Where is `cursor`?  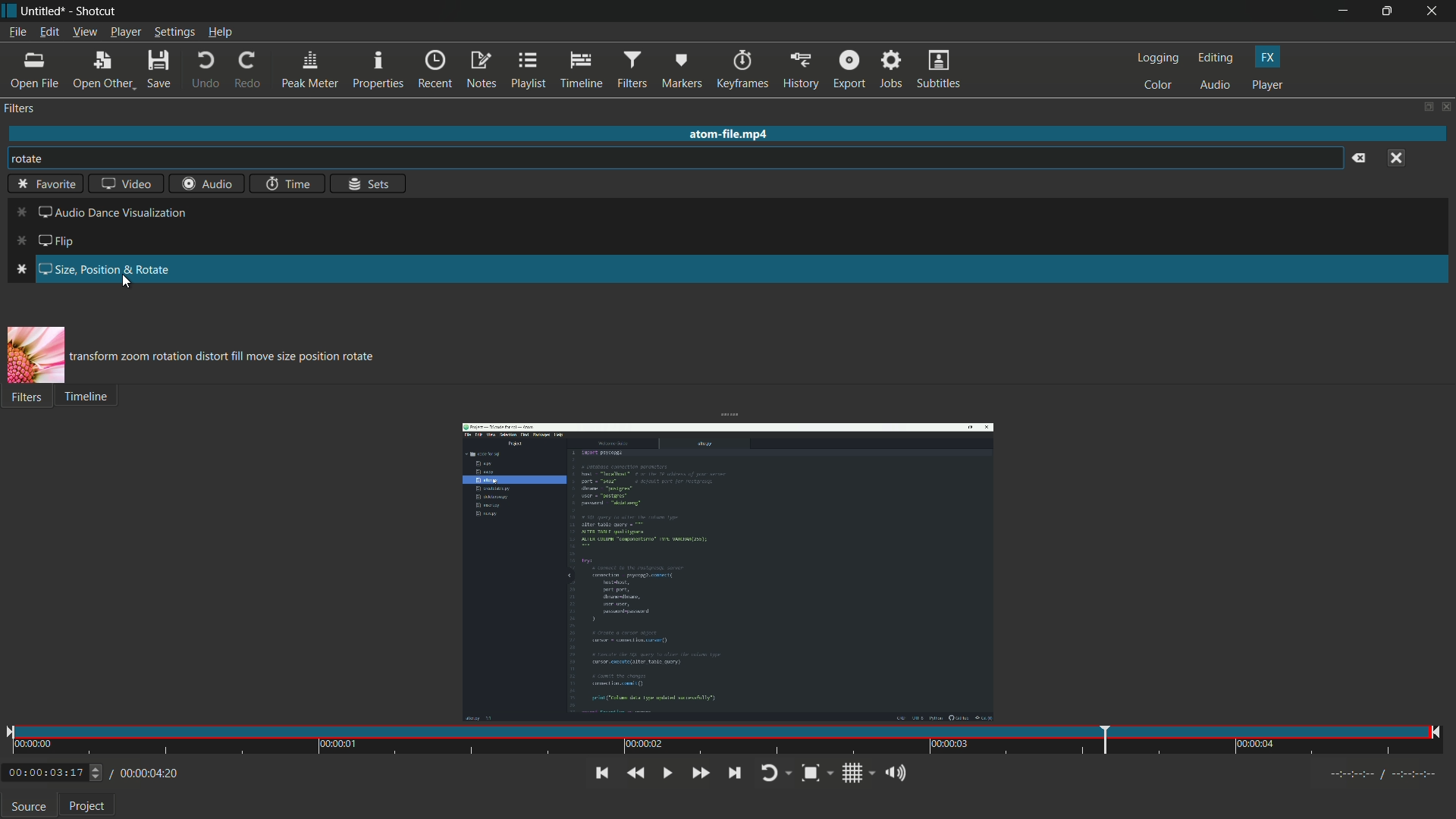 cursor is located at coordinates (126, 285).